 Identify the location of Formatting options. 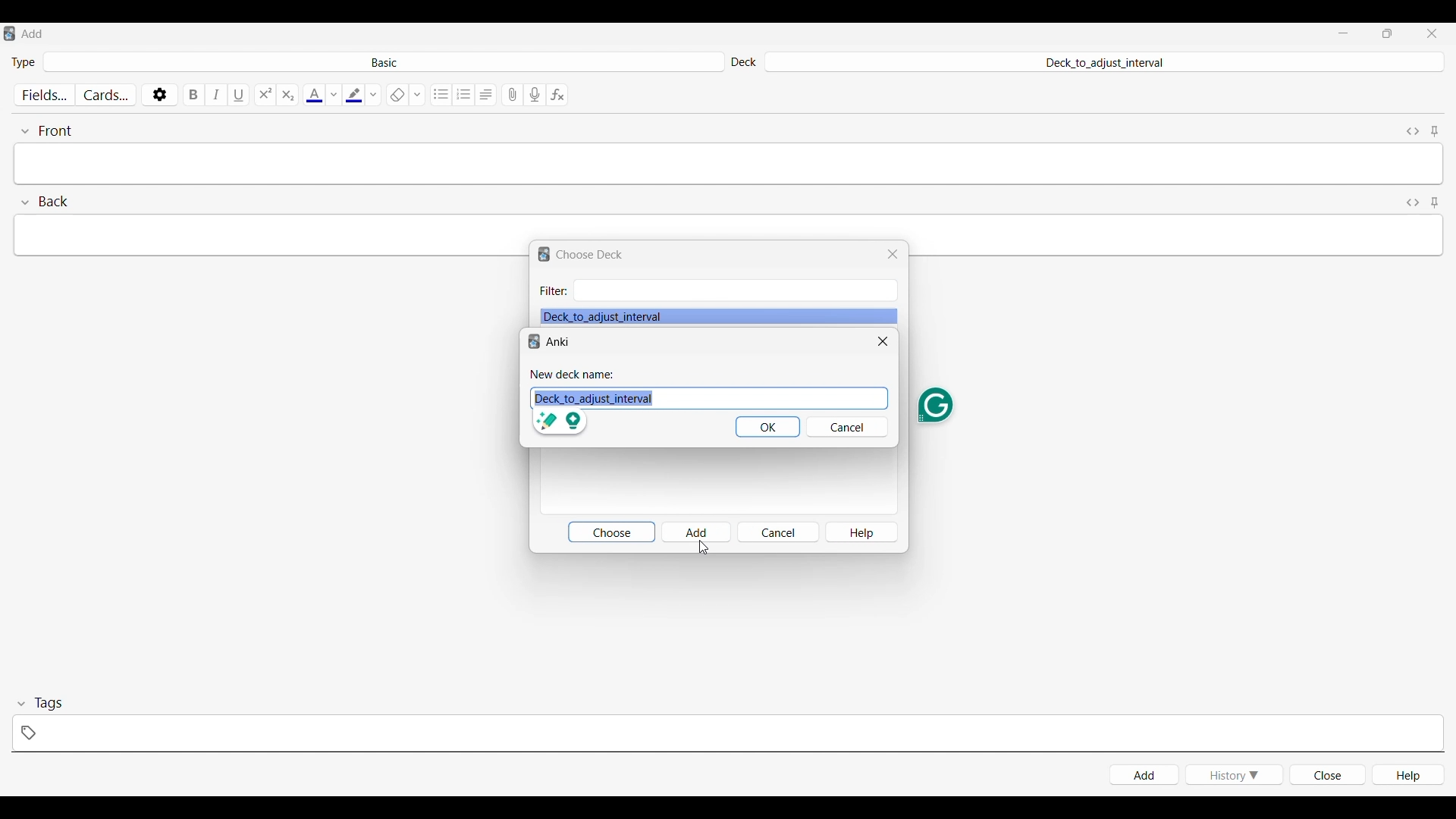
(417, 94).